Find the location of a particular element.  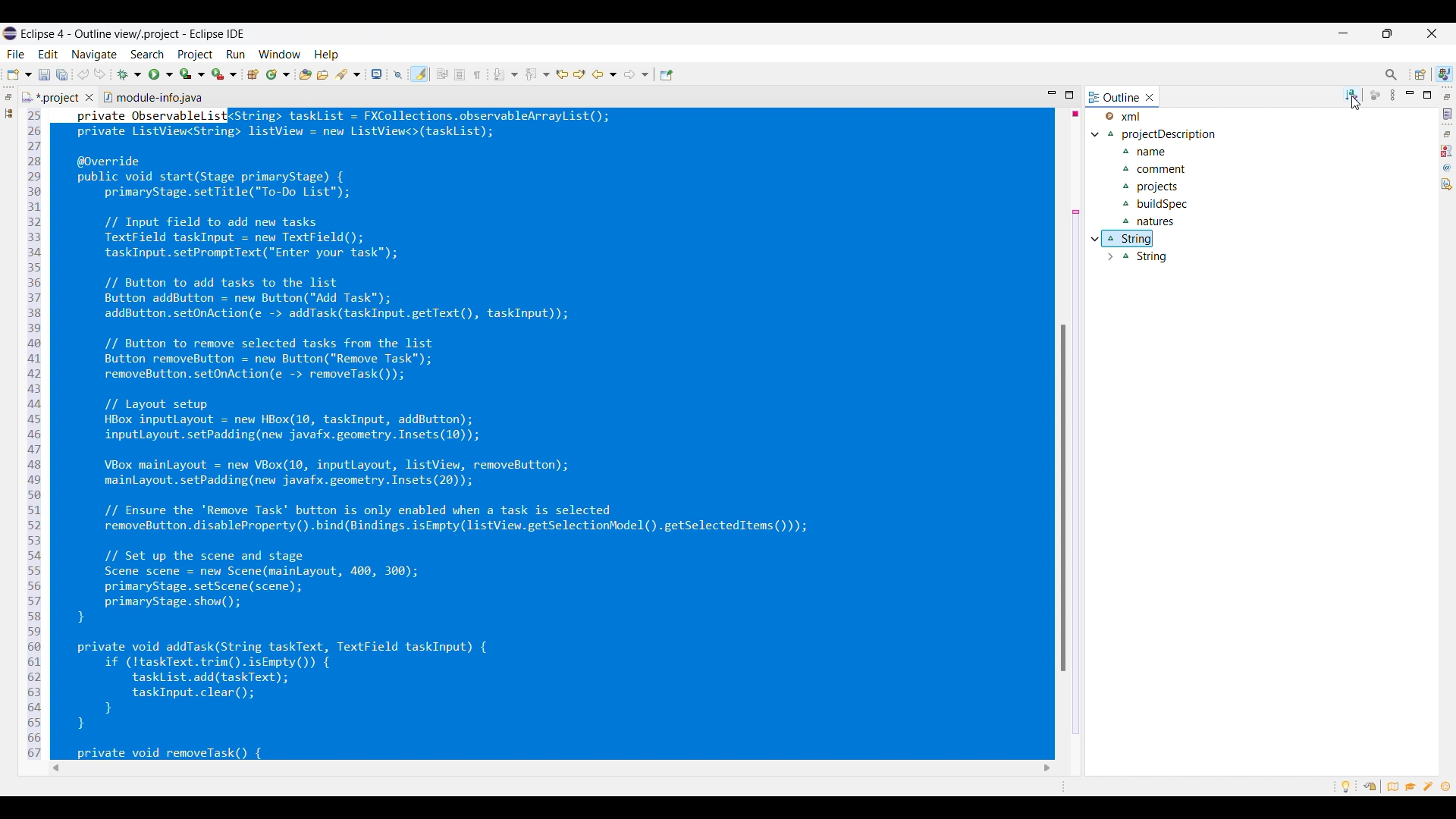

Current perspective is located at coordinates (1445, 74).